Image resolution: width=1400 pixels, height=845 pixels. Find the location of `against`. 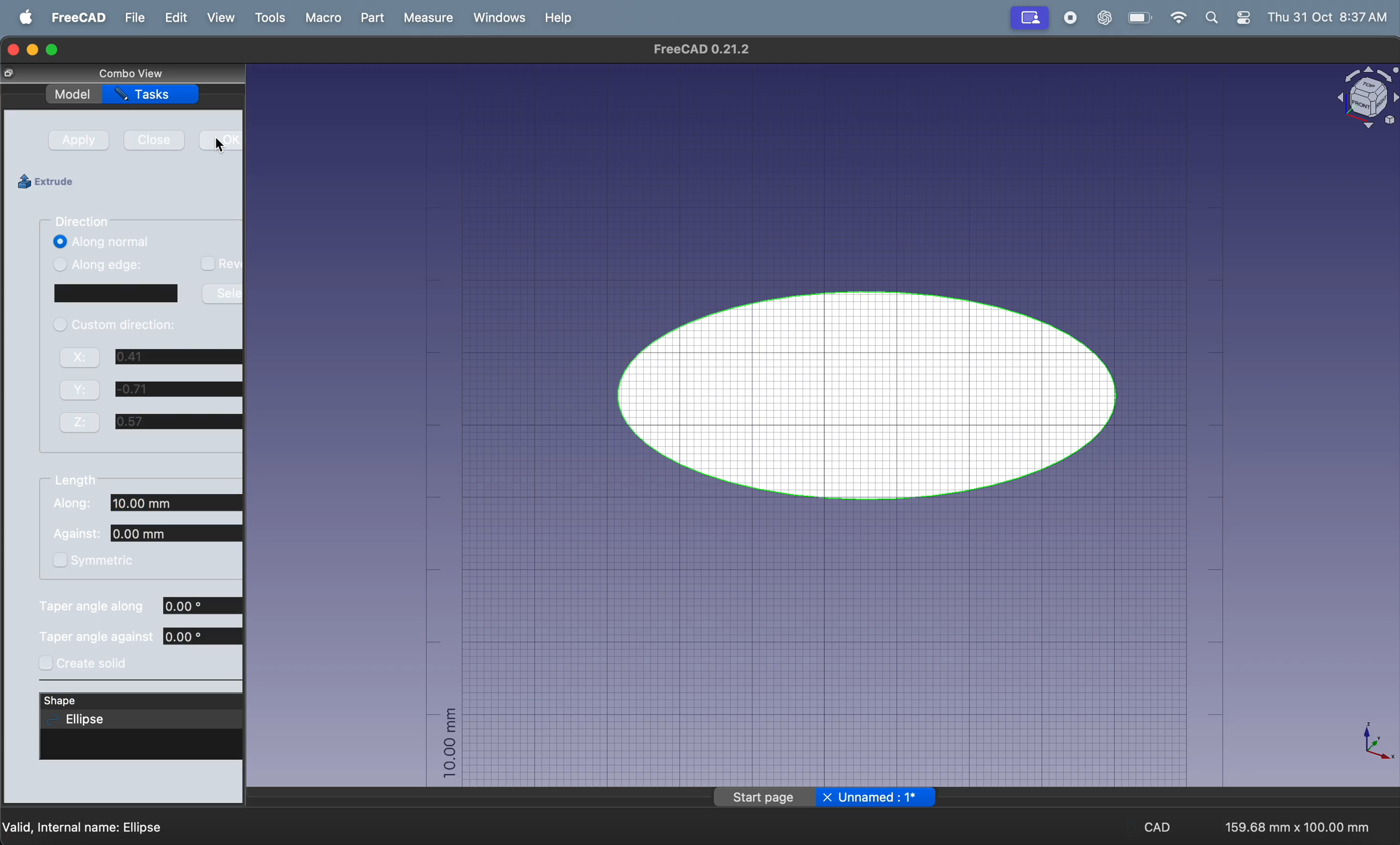

against is located at coordinates (80, 532).